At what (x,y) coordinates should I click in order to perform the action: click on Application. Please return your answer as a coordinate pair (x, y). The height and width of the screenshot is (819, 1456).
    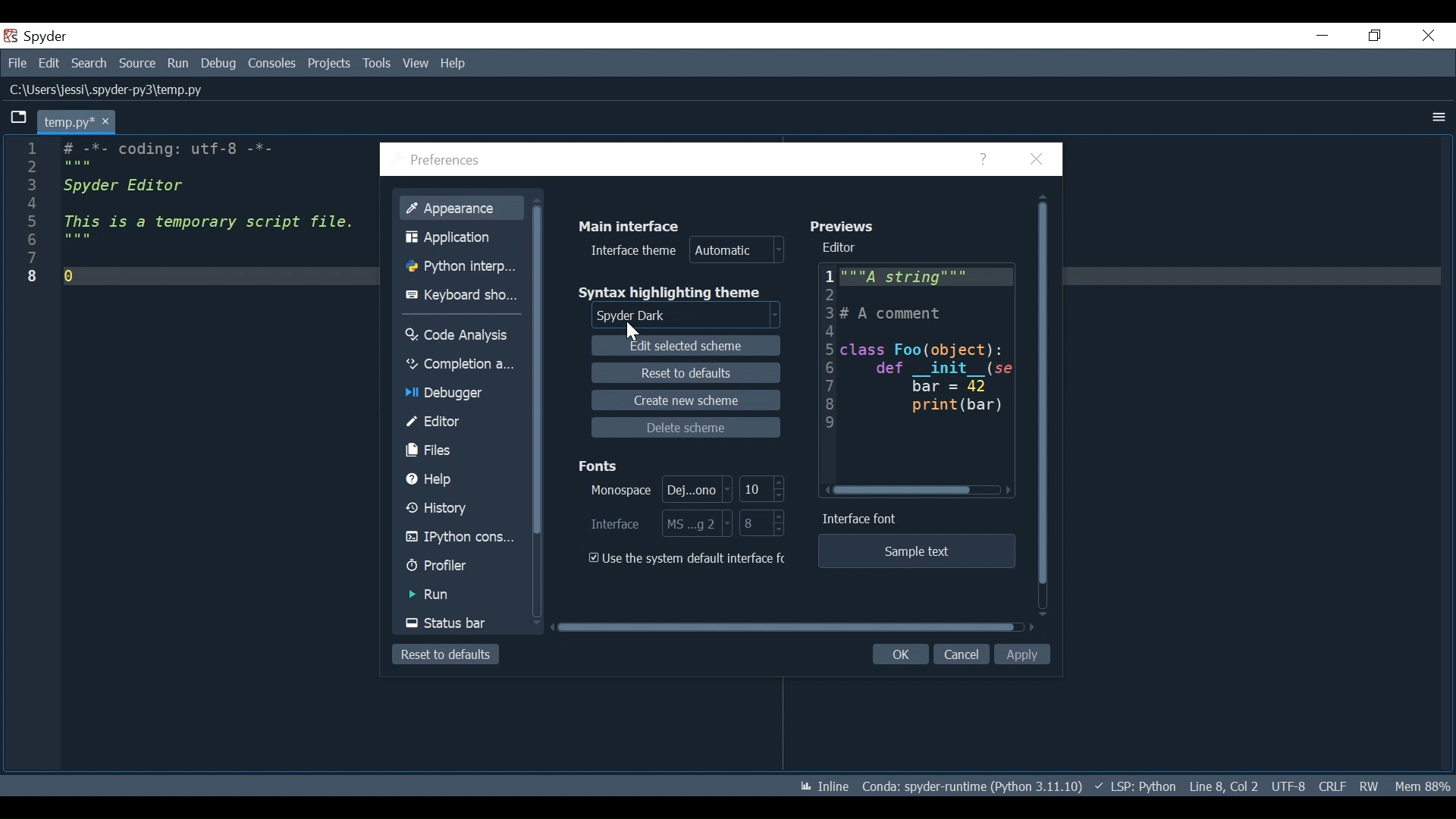
    Looking at the image, I should click on (462, 239).